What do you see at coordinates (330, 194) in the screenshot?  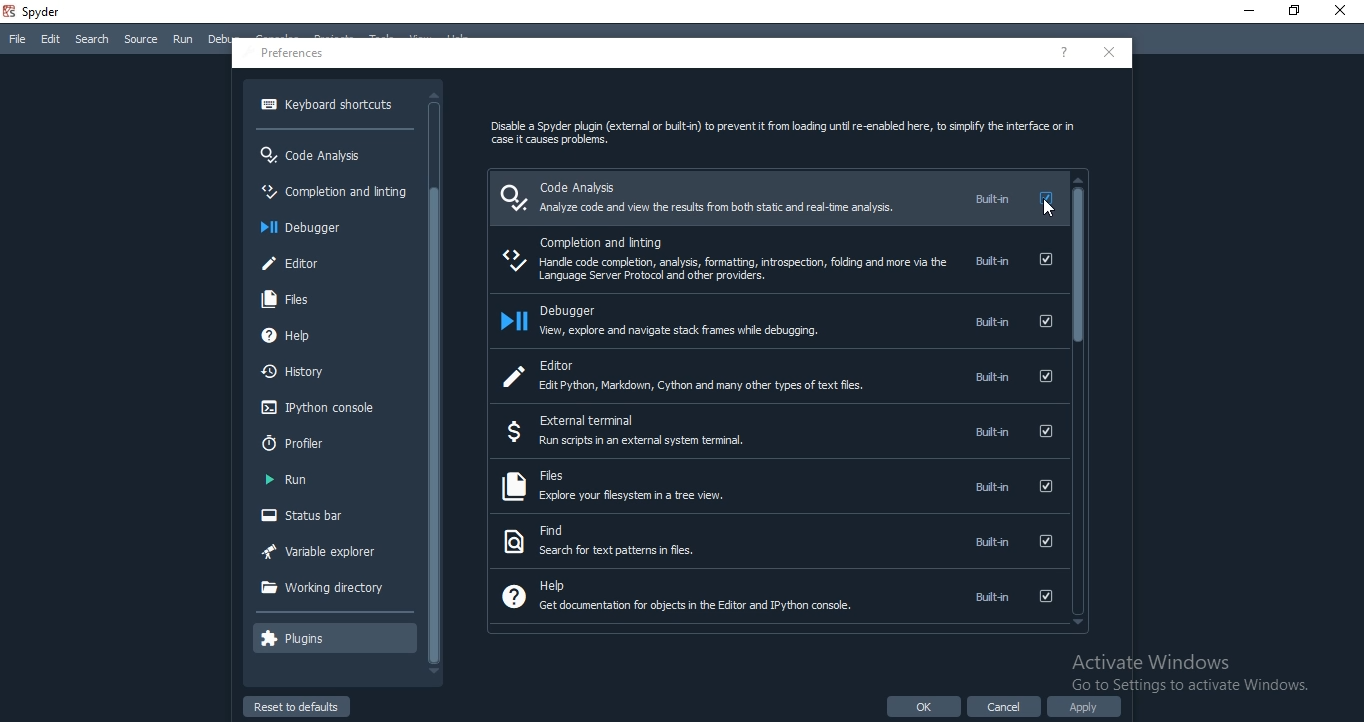 I see `completion and inting` at bounding box center [330, 194].